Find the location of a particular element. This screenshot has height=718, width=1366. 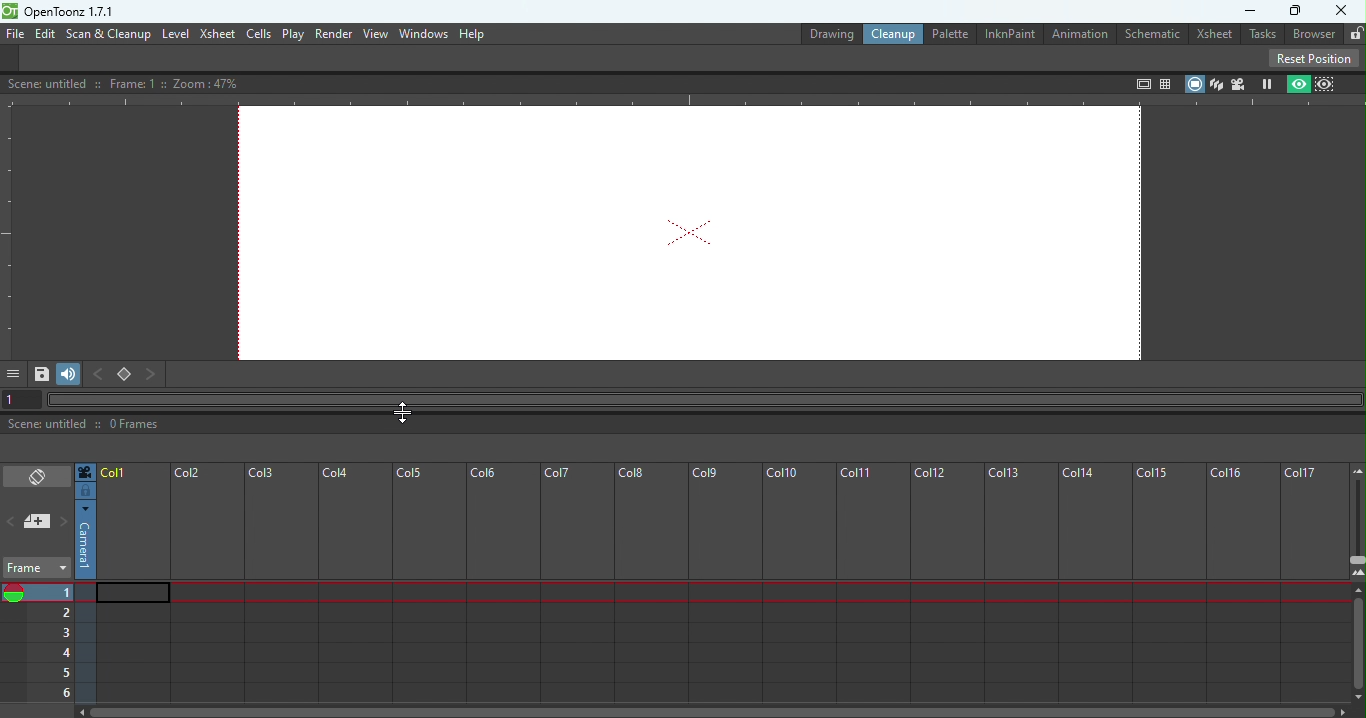

Scroll bar is located at coordinates (1354, 643).